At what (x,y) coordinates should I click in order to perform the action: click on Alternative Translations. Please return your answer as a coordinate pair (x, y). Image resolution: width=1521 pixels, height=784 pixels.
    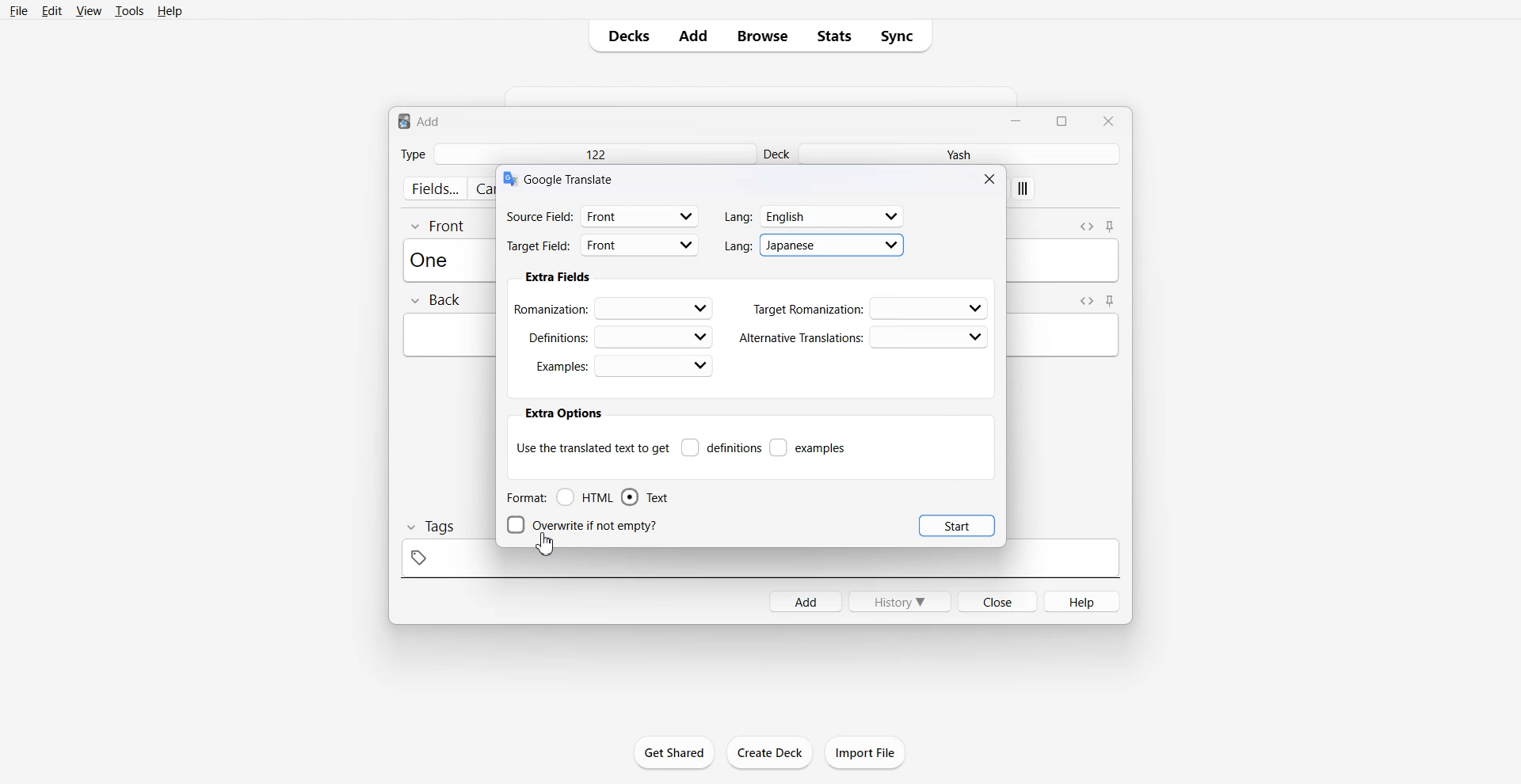
    Looking at the image, I should click on (863, 337).